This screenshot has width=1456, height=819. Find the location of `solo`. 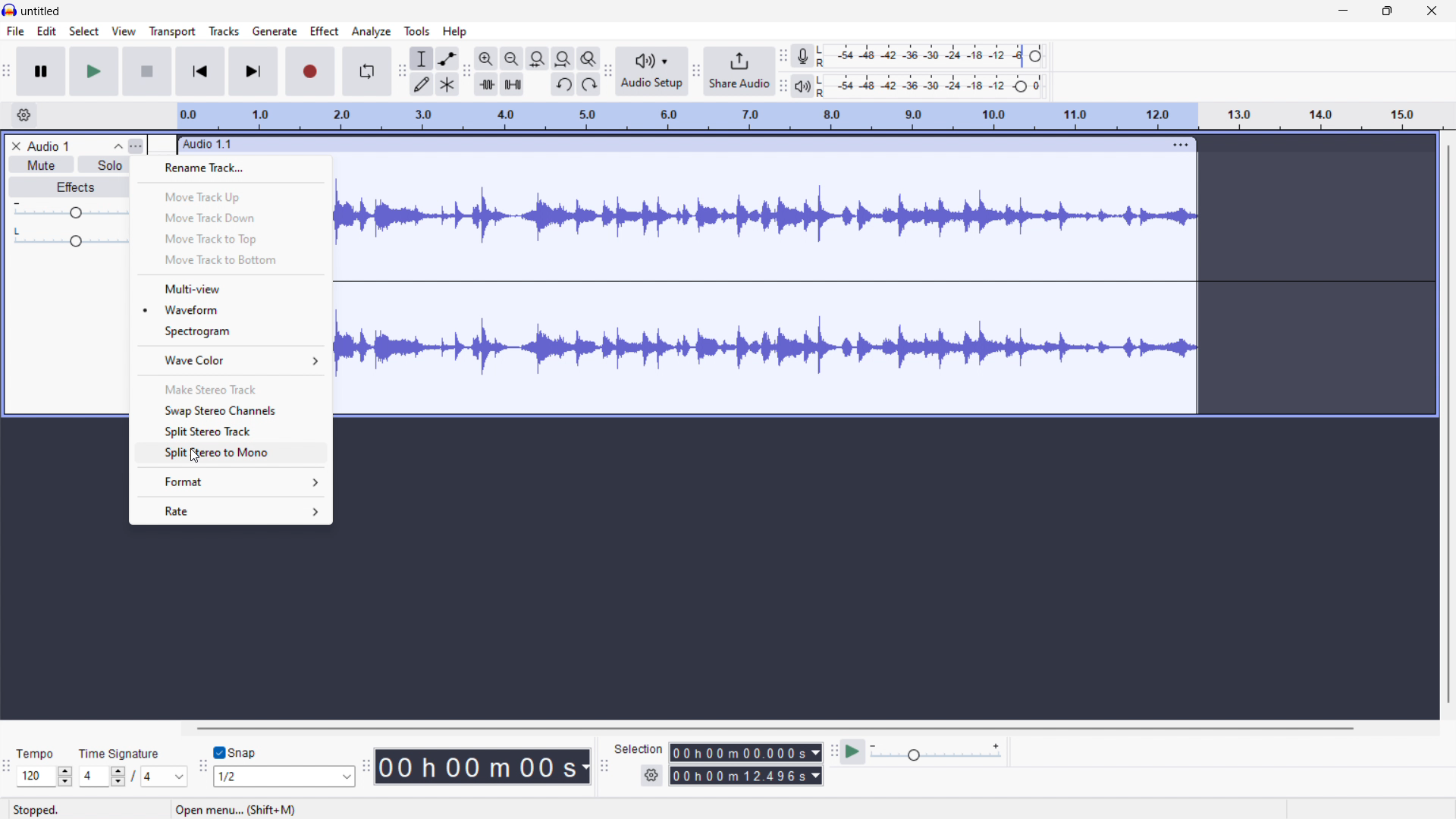

solo is located at coordinates (103, 162).